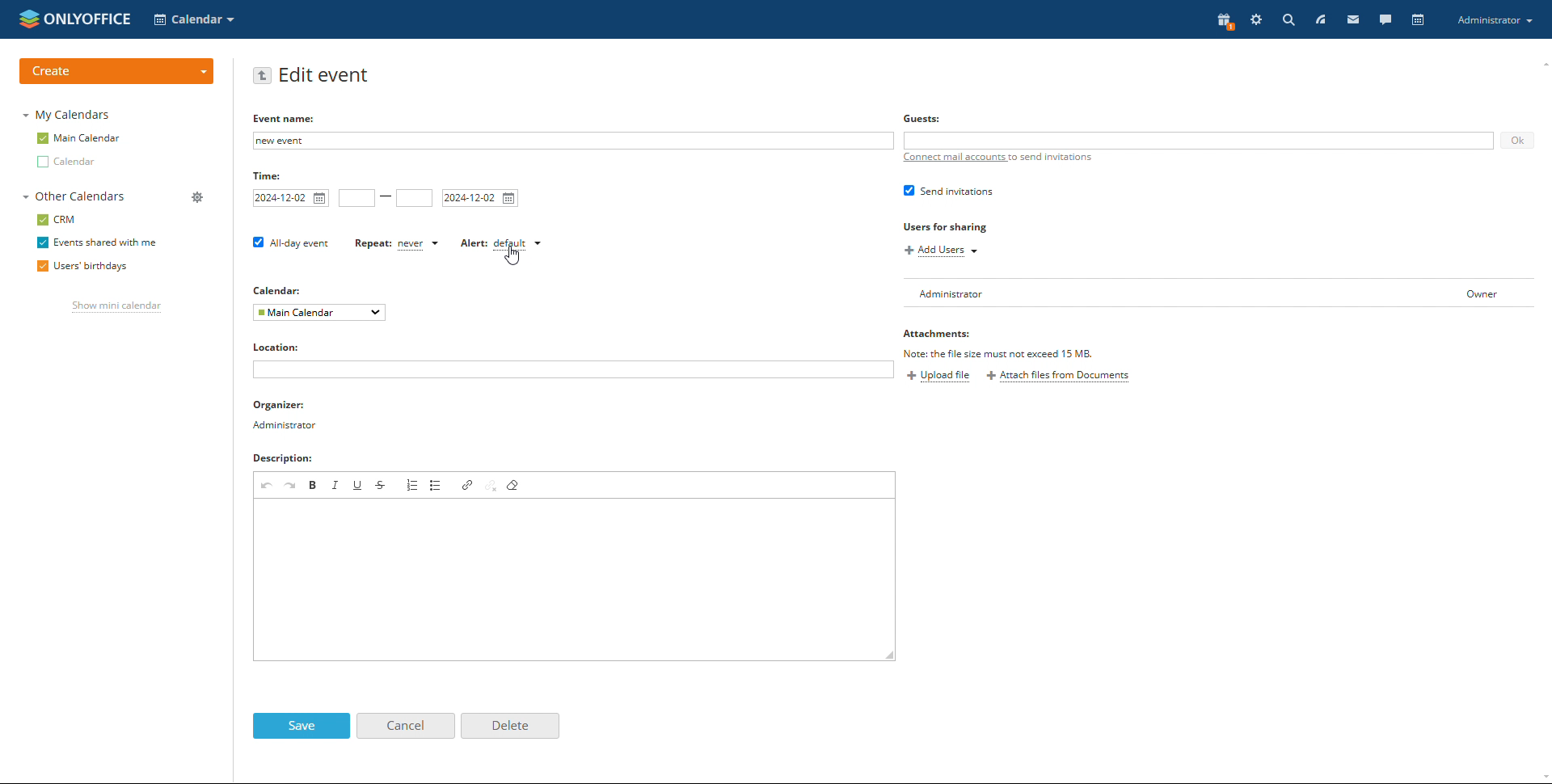 This screenshot has height=784, width=1552. What do you see at coordinates (1225, 21) in the screenshot?
I see `present` at bounding box center [1225, 21].